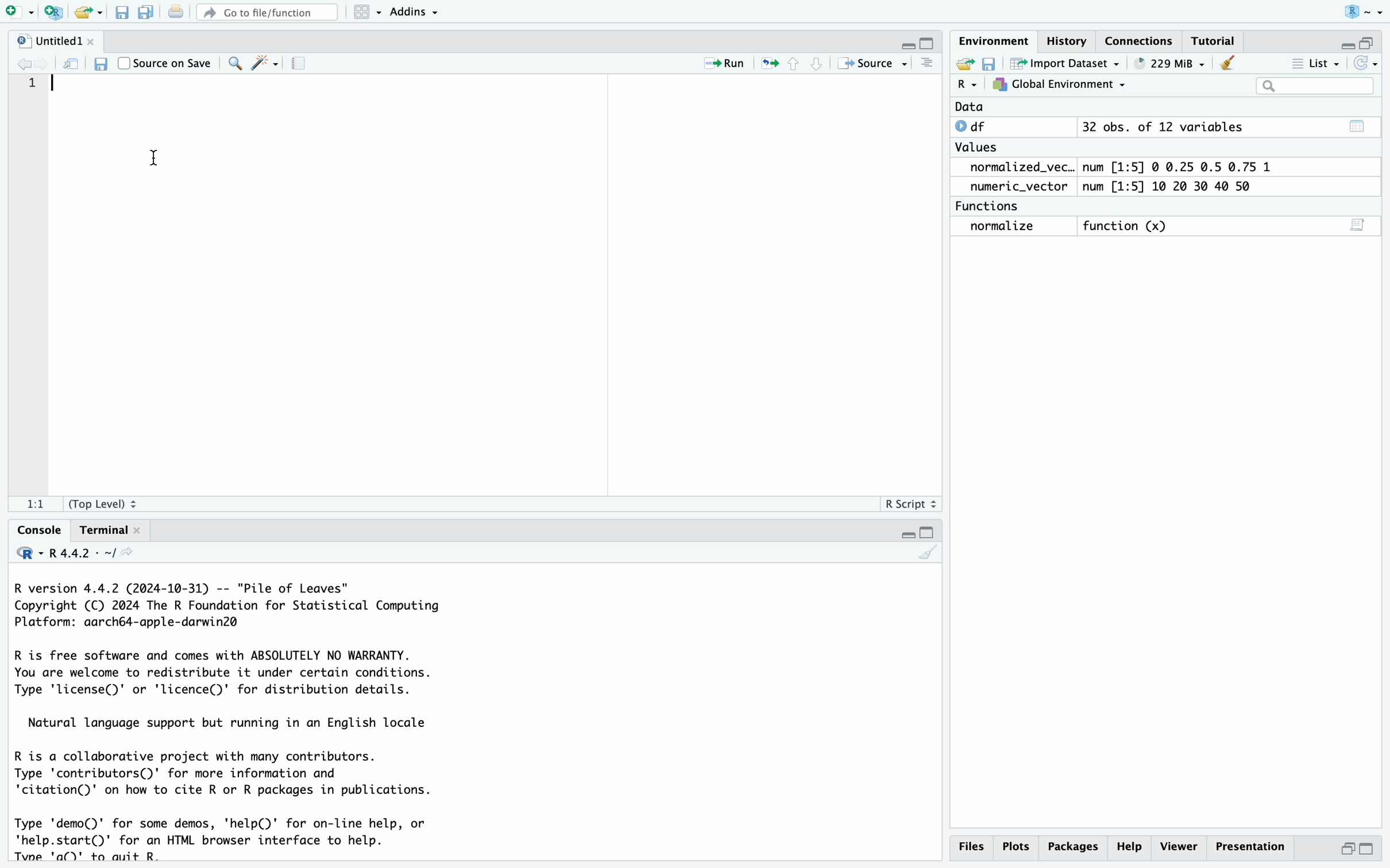 The height and width of the screenshot is (868, 1390). Describe the element at coordinates (1140, 43) in the screenshot. I see `Connections` at that location.